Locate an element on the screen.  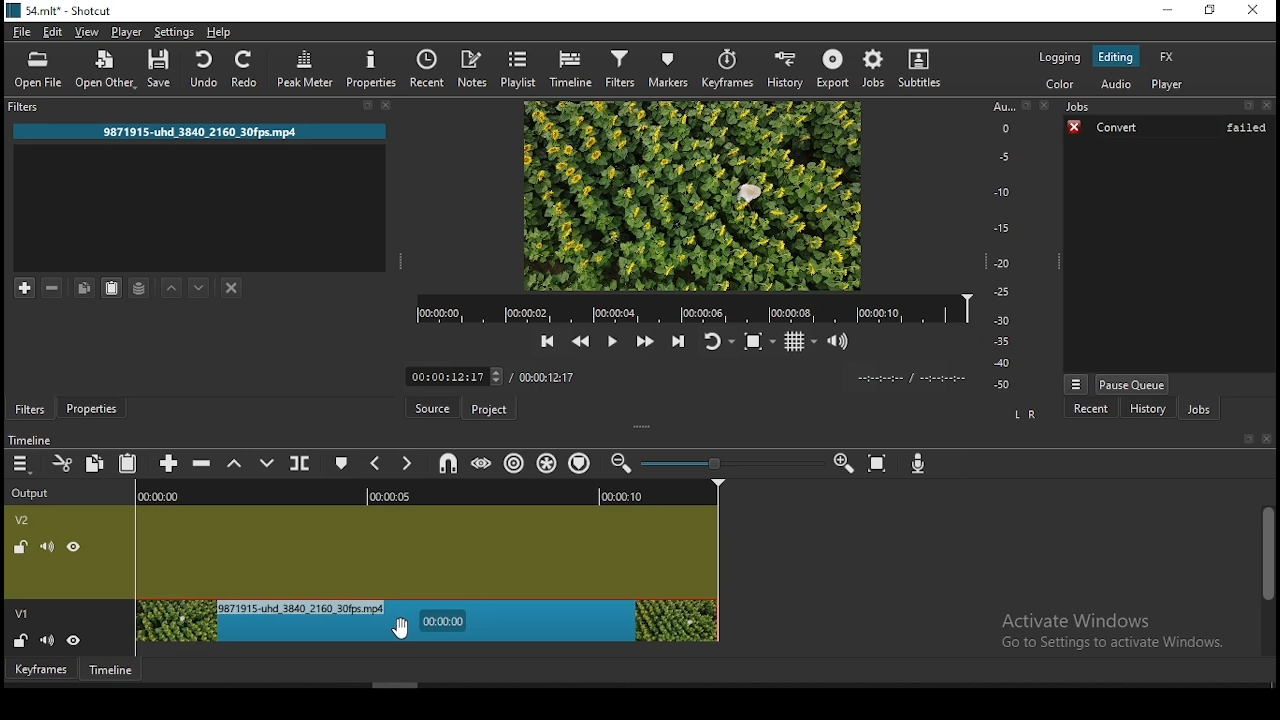
move filter up is located at coordinates (171, 287).